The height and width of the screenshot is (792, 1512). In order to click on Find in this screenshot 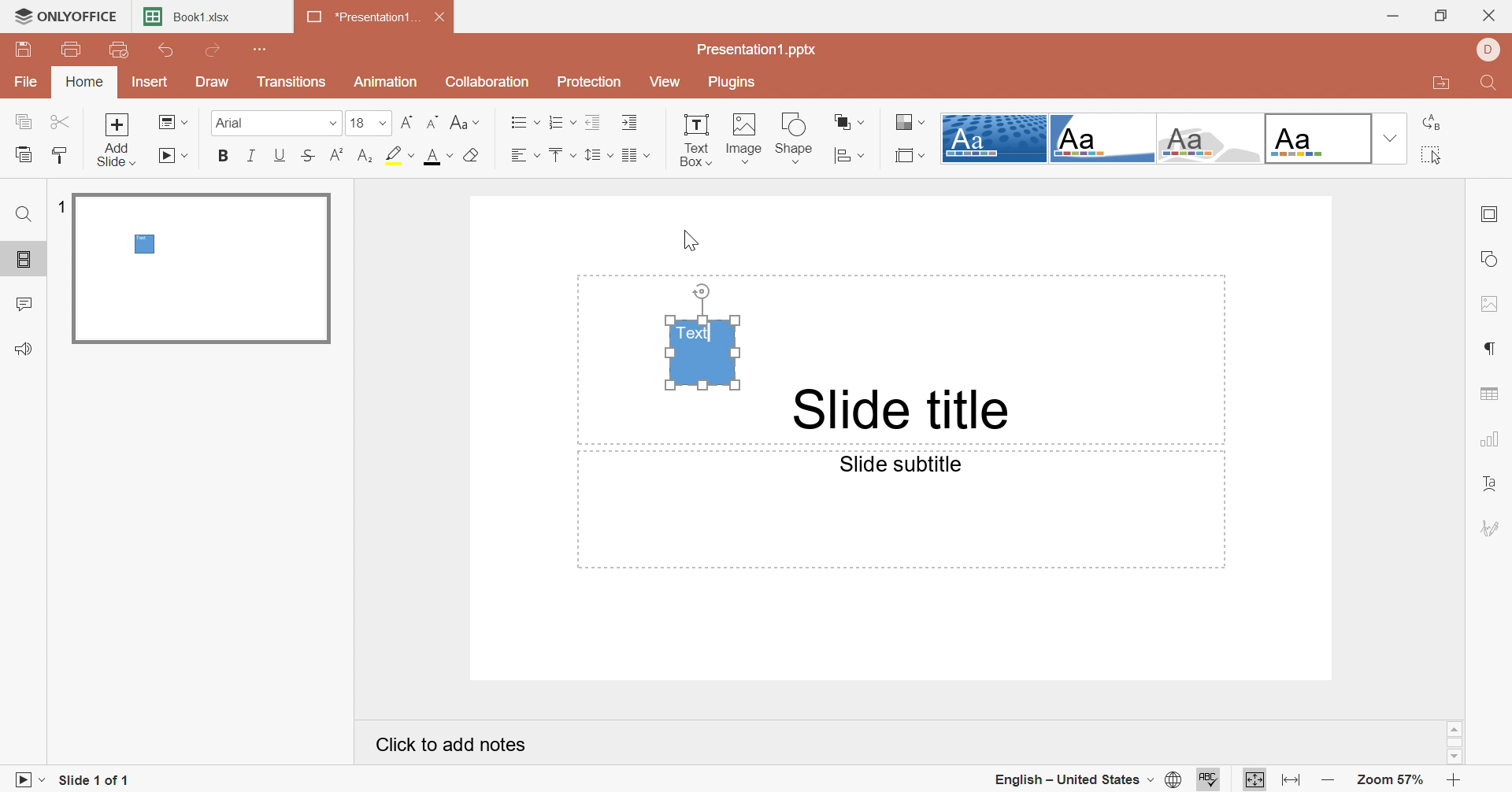, I will do `click(24, 214)`.